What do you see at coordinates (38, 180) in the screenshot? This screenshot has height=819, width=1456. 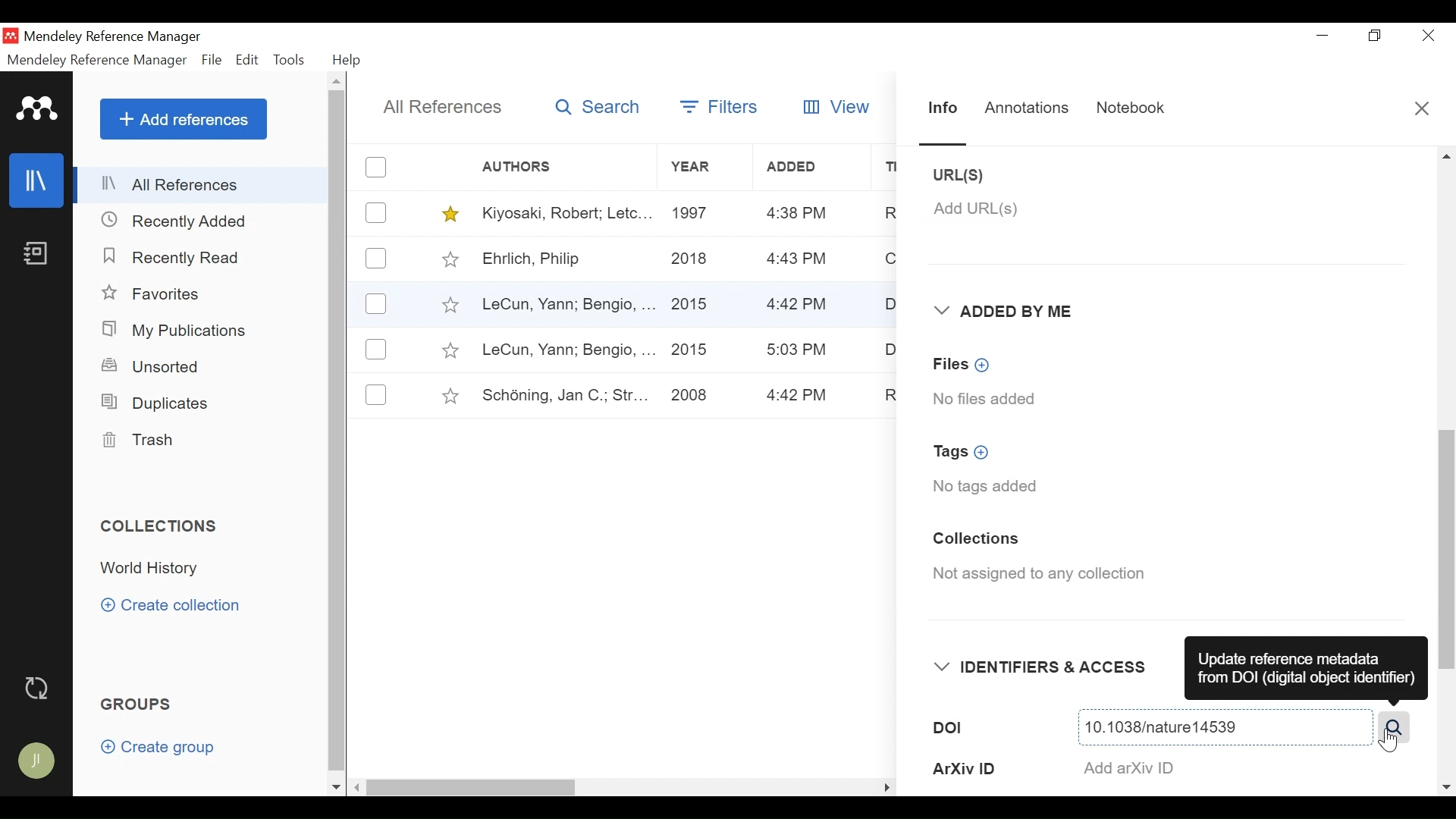 I see `Library` at bounding box center [38, 180].